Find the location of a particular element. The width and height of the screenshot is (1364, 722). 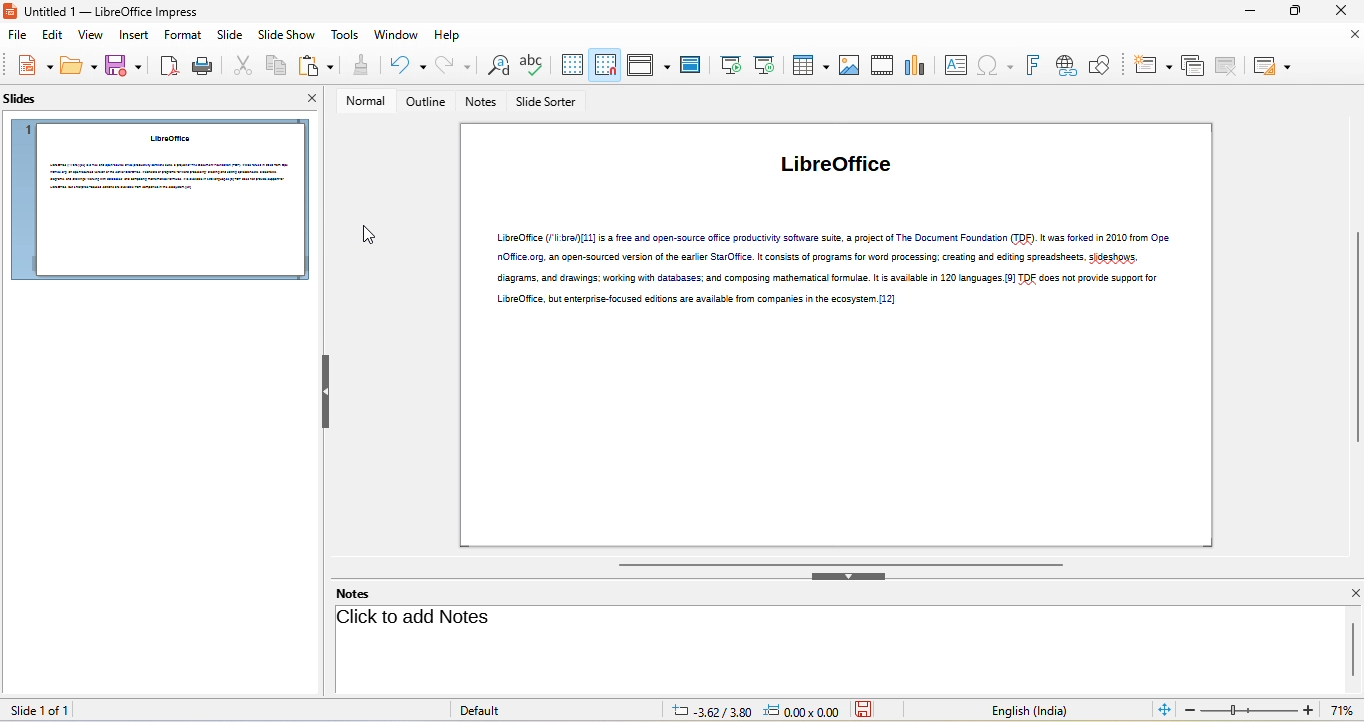

delete slide is located at coordinates (1230, 66).